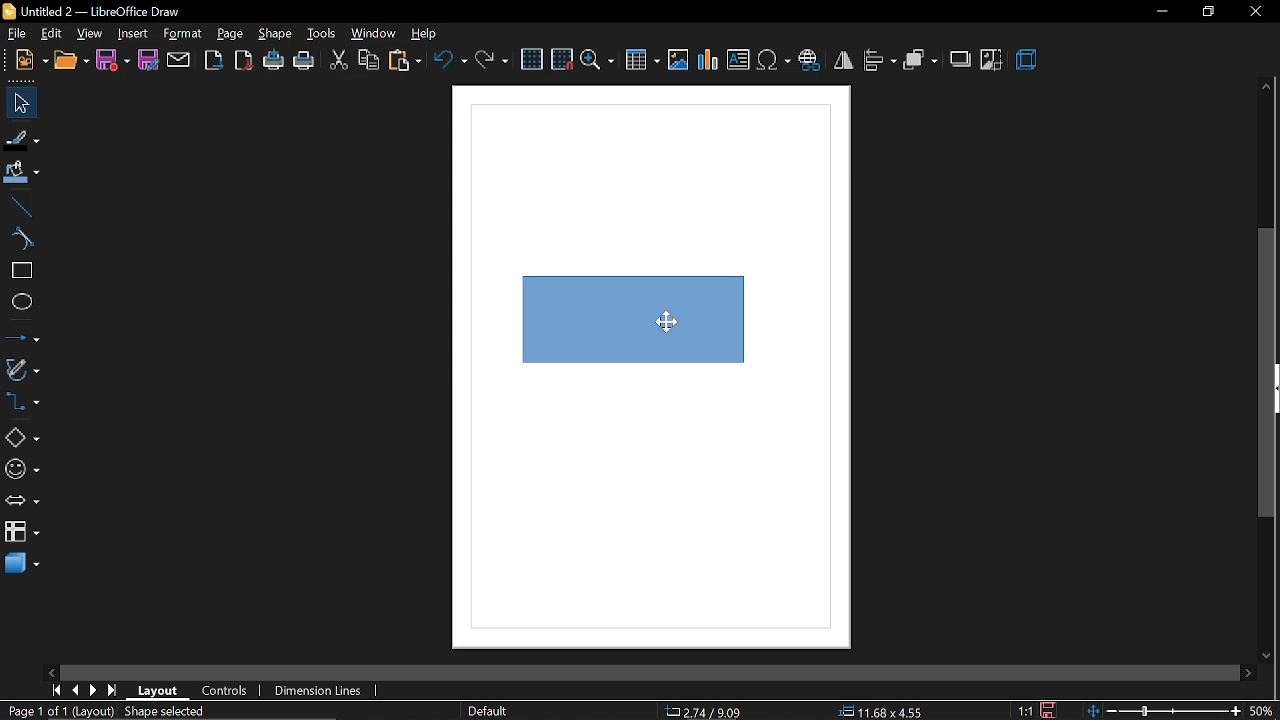 Image resolution: width=1280 pixels, height=720 pixels. I want to click on print directly, so click(274, 59).